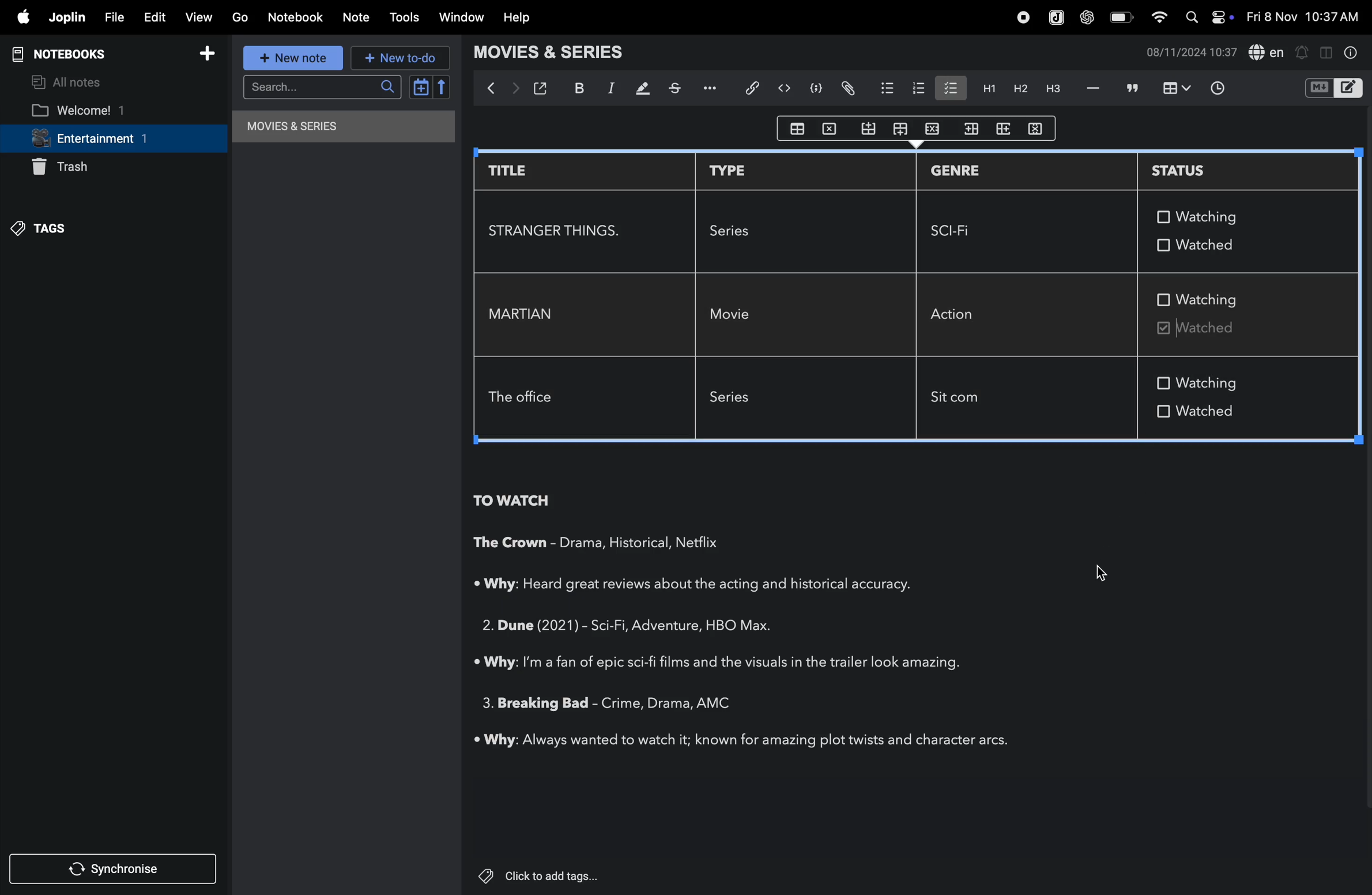  I want to click on tags, so click(59, 229).